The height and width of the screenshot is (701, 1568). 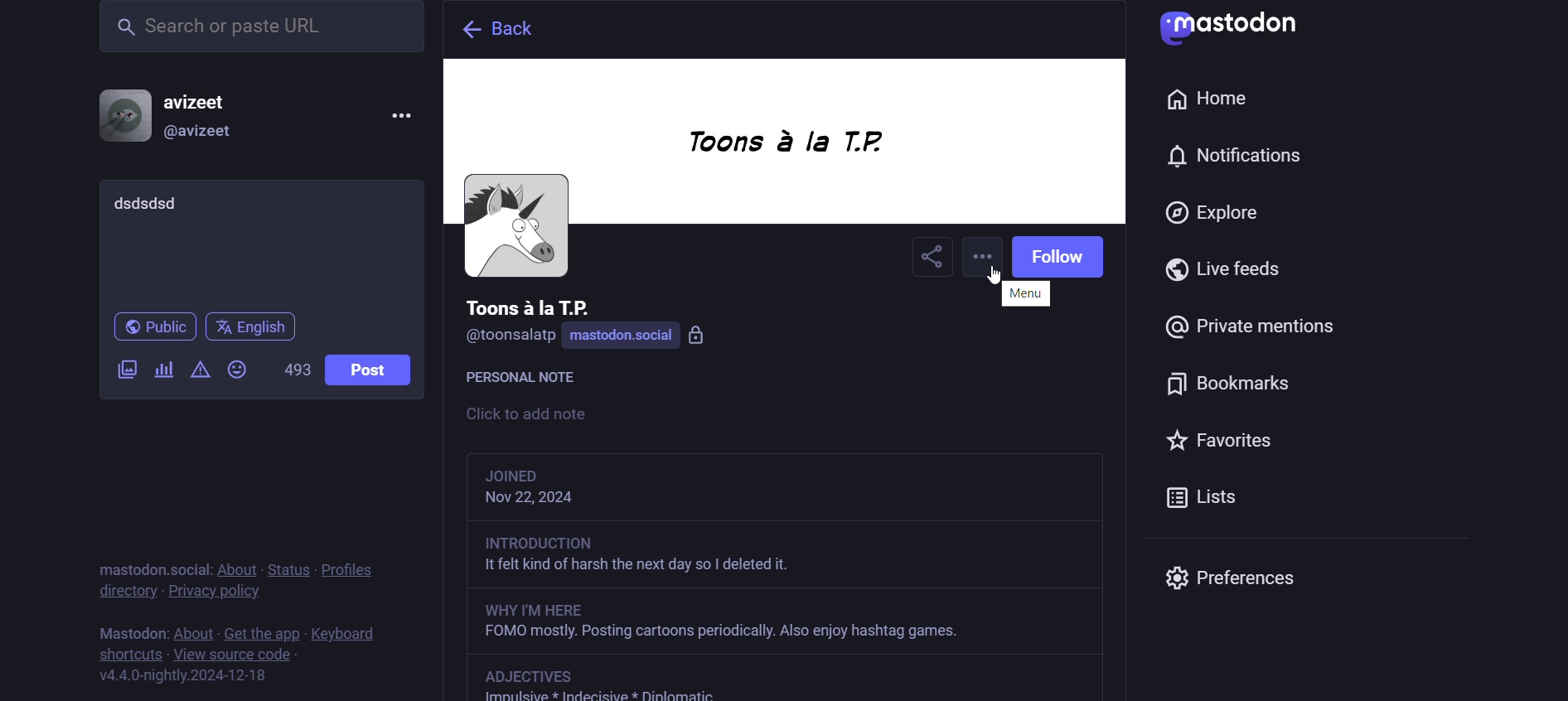 What do you see at coordinates (1241, 392) in the screenshot?
I see `bokmarks` at bounding box center [1241, 392].